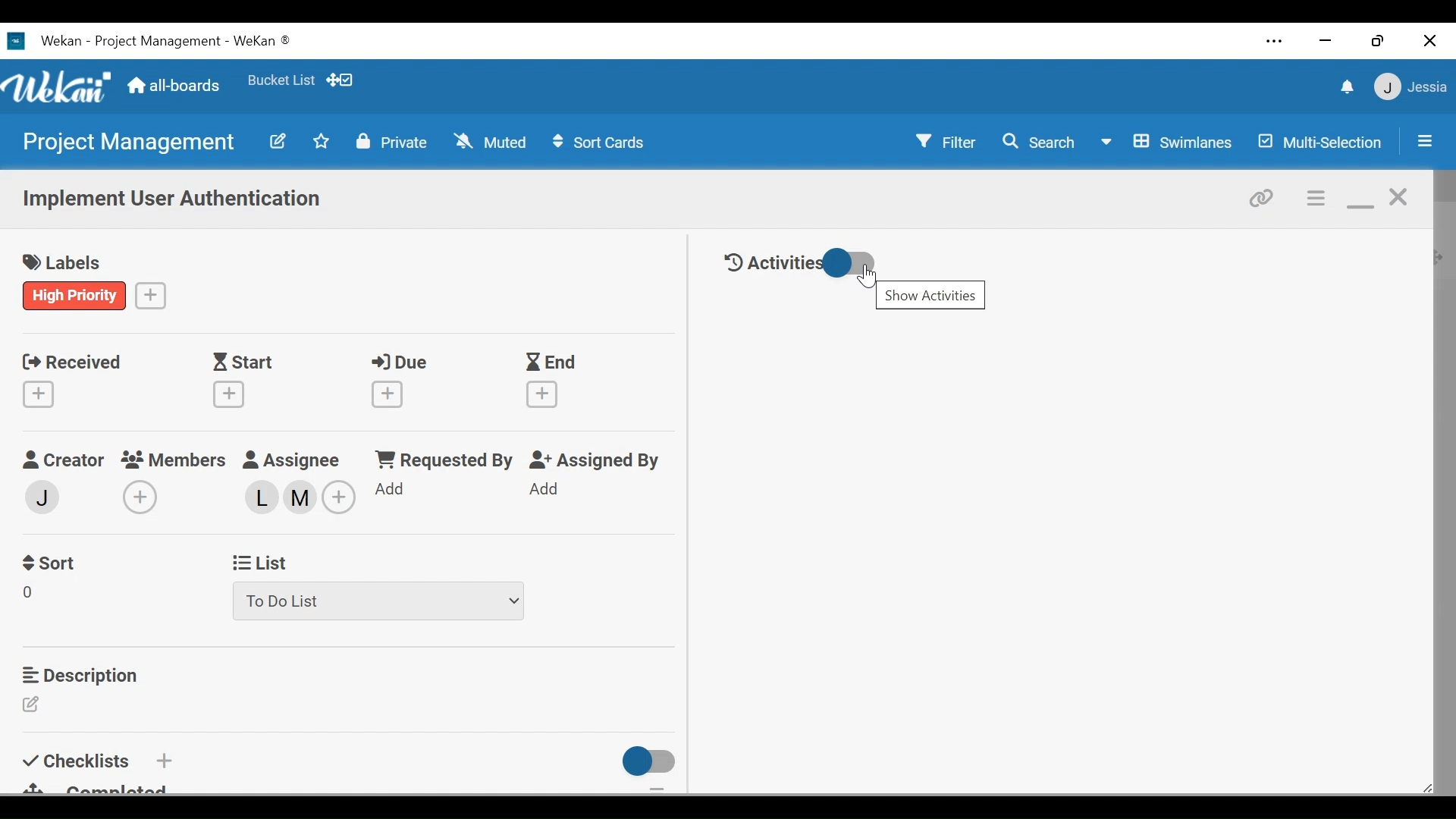 The height and width of the screenshot is (819, 1456). I want to click on Add, so click(39, 497).